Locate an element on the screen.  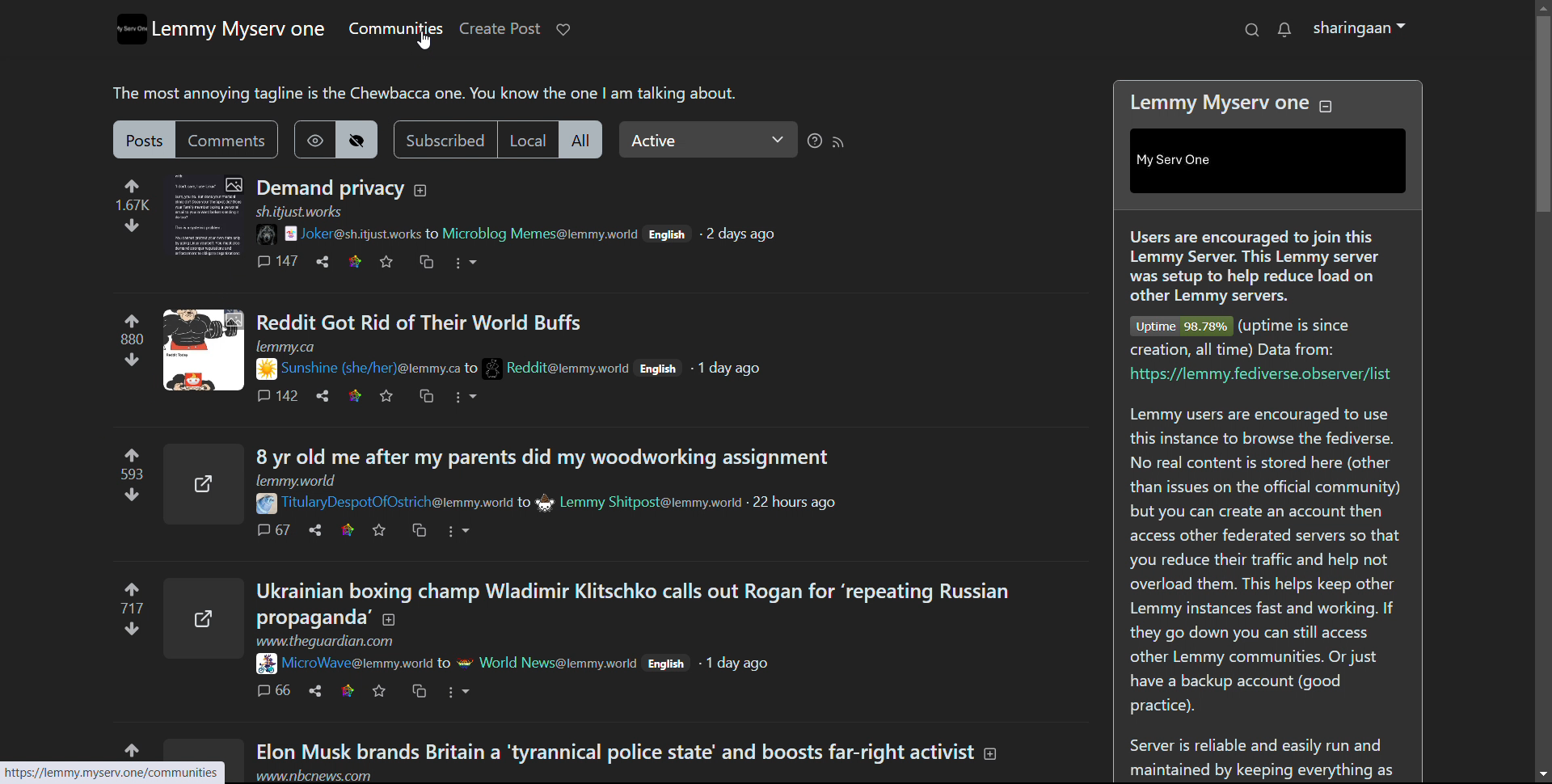
username is located at coordinates (652, 504).